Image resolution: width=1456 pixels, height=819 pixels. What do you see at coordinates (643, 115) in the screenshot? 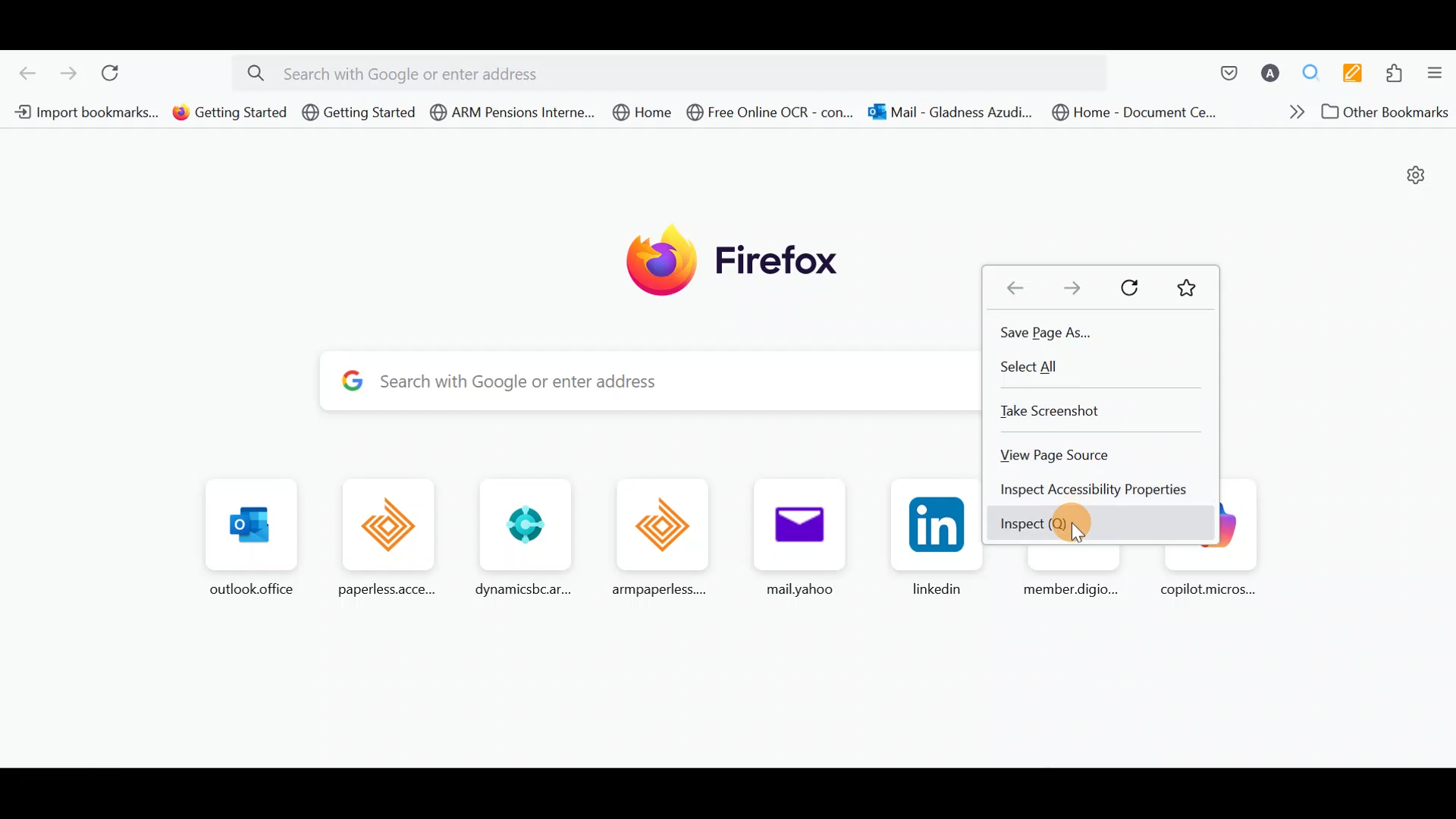
I see `Bookmark 5` at bounding box center [643, 115].